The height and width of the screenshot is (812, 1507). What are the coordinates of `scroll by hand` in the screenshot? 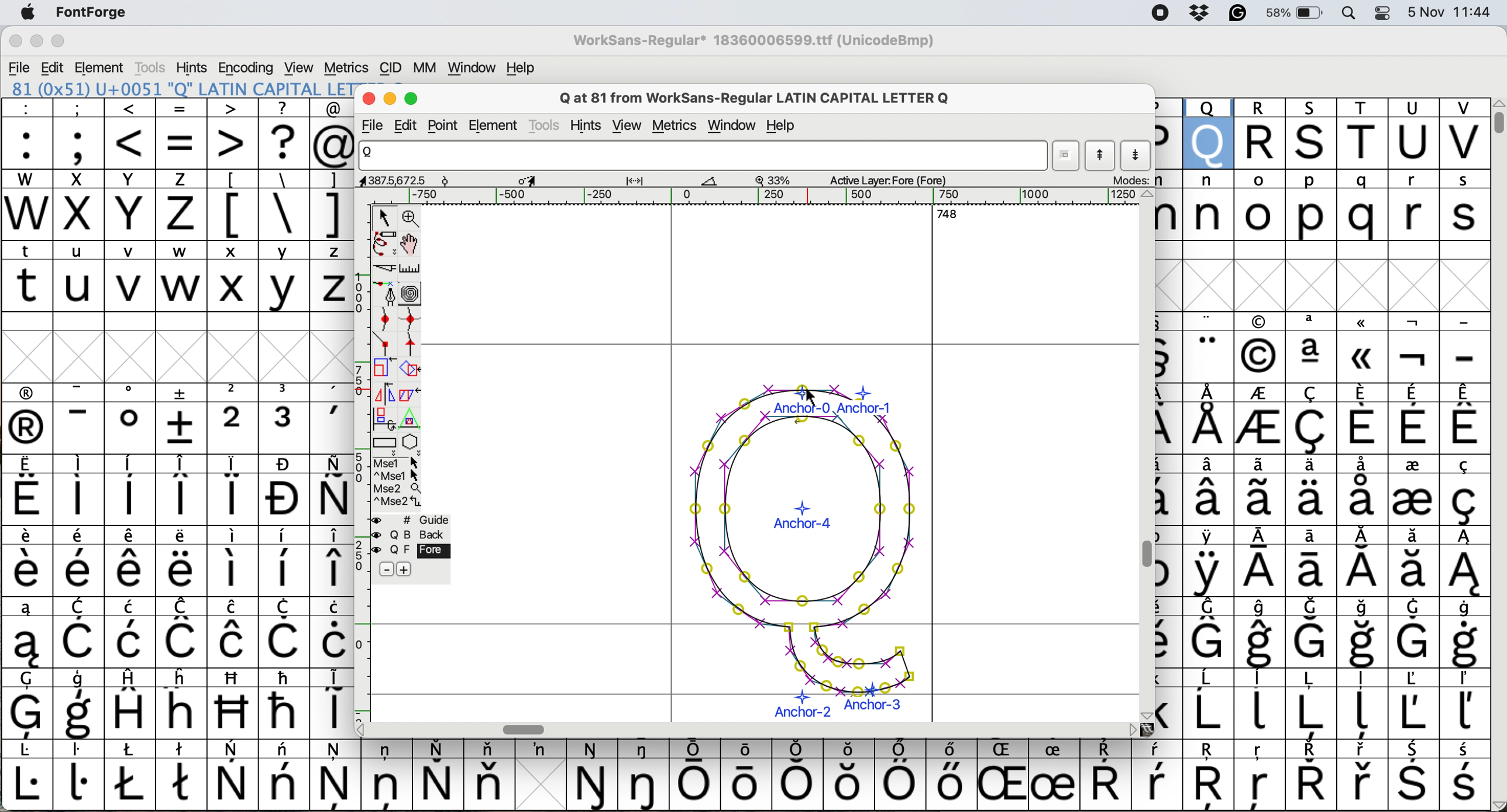 It's located at (409, 245).